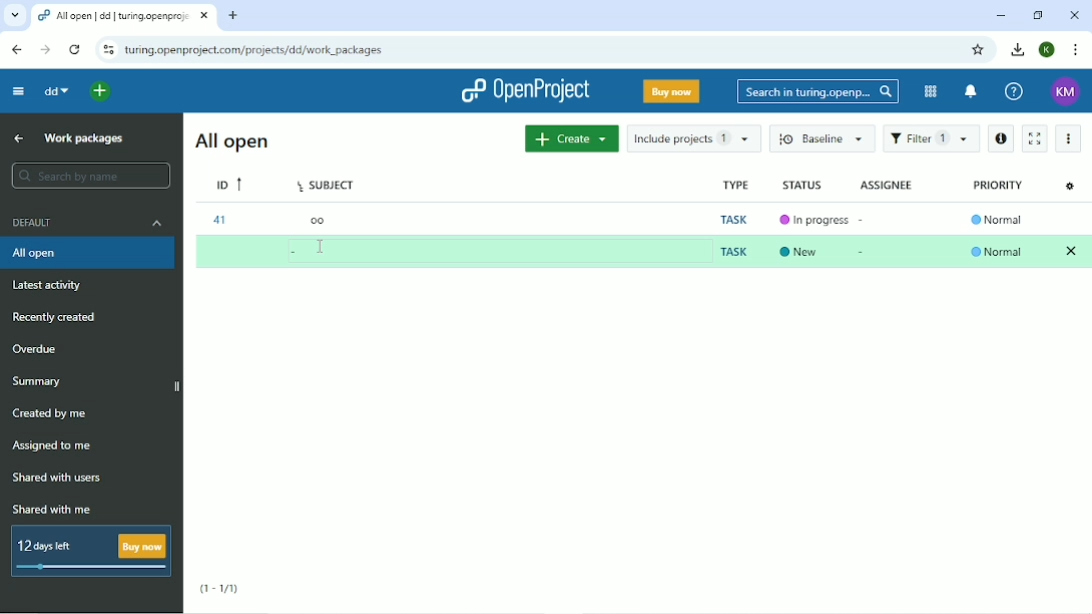 The image size is (1092, 614). What do you see at coordinates (62, 317) in the screenshot?
I see `Recently created` at bounding box center [62, 317].